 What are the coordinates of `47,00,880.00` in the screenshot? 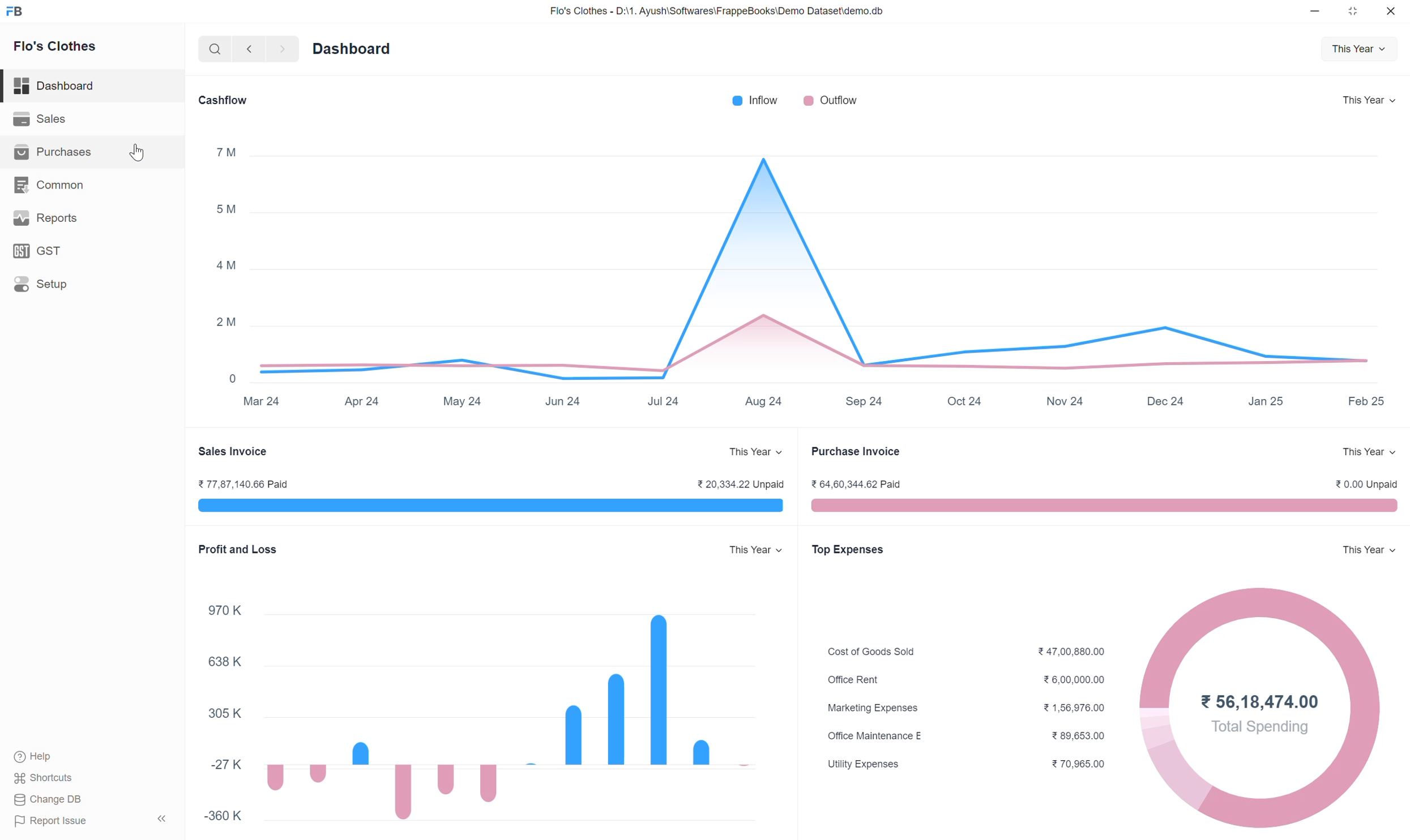 It's located at (1071, 652).